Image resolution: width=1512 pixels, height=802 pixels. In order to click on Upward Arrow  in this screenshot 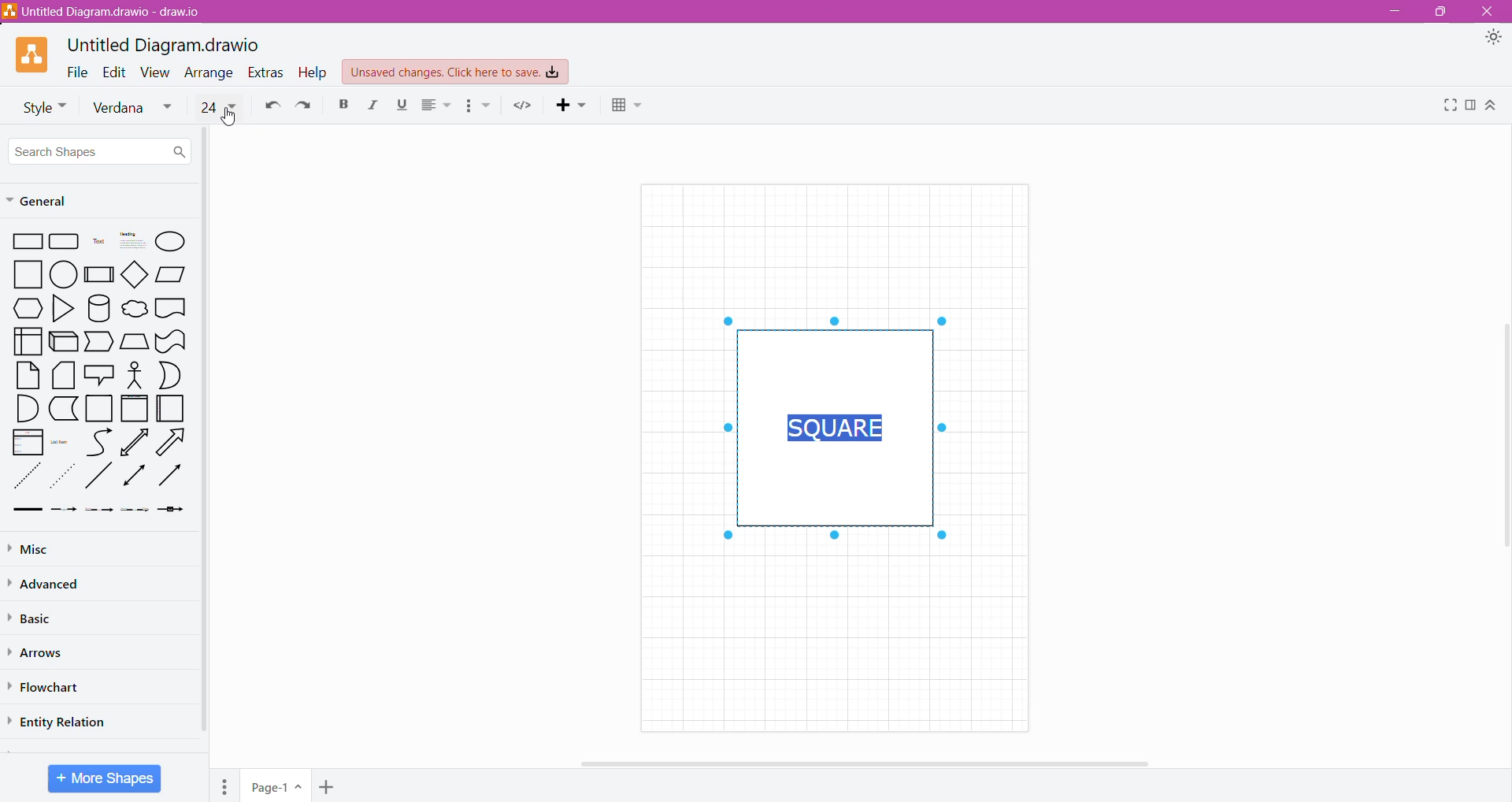, I will do `click(135, 443)`.